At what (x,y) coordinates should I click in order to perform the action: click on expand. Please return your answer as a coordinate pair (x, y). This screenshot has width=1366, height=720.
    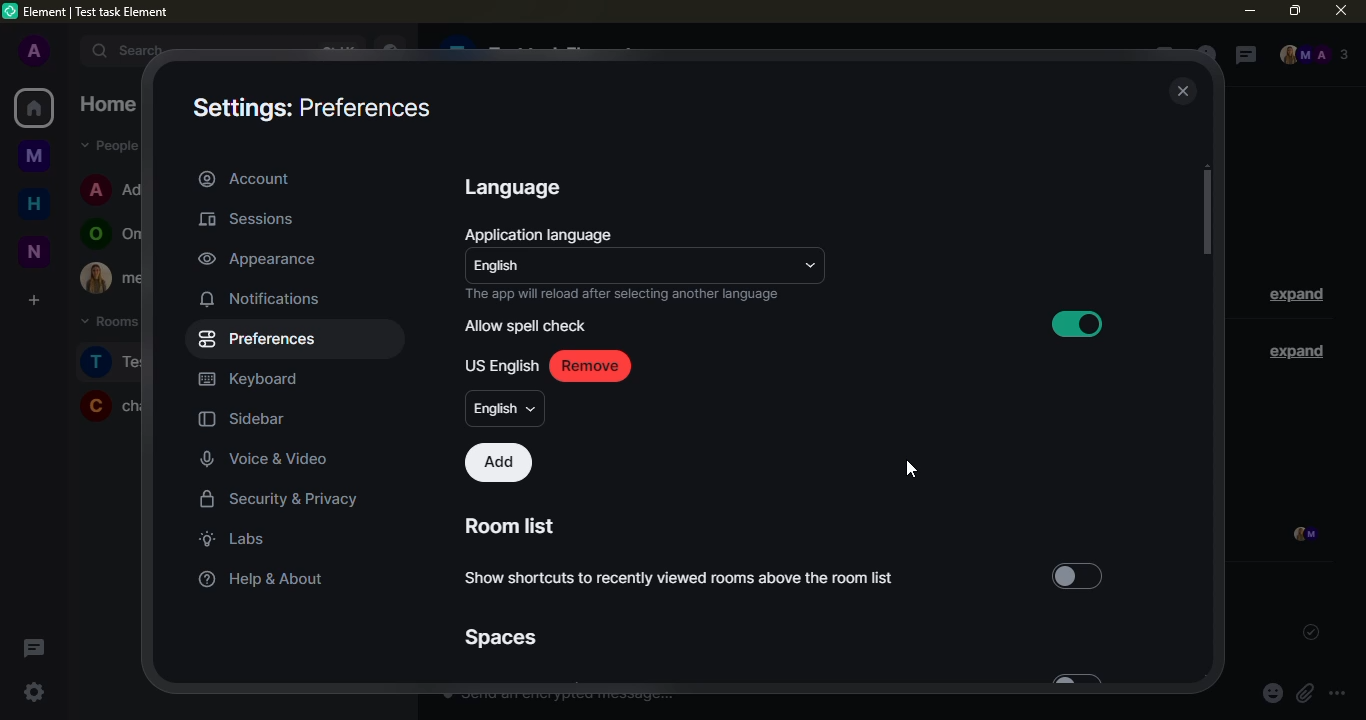
    Looking at the image, I should click on (1292, 350).